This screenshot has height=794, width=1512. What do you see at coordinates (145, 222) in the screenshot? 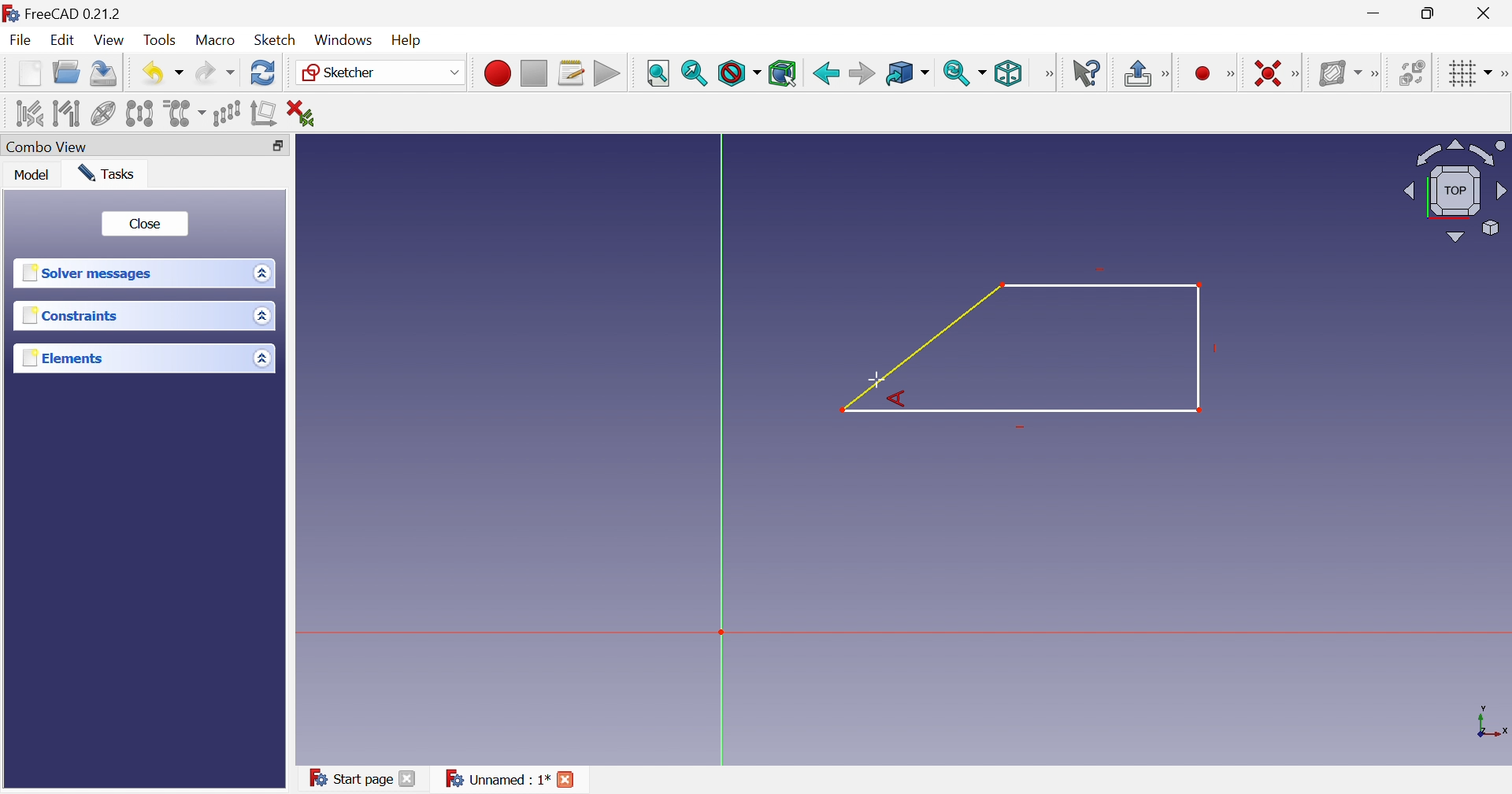
I see `Close` at bounding box center [145, 222].